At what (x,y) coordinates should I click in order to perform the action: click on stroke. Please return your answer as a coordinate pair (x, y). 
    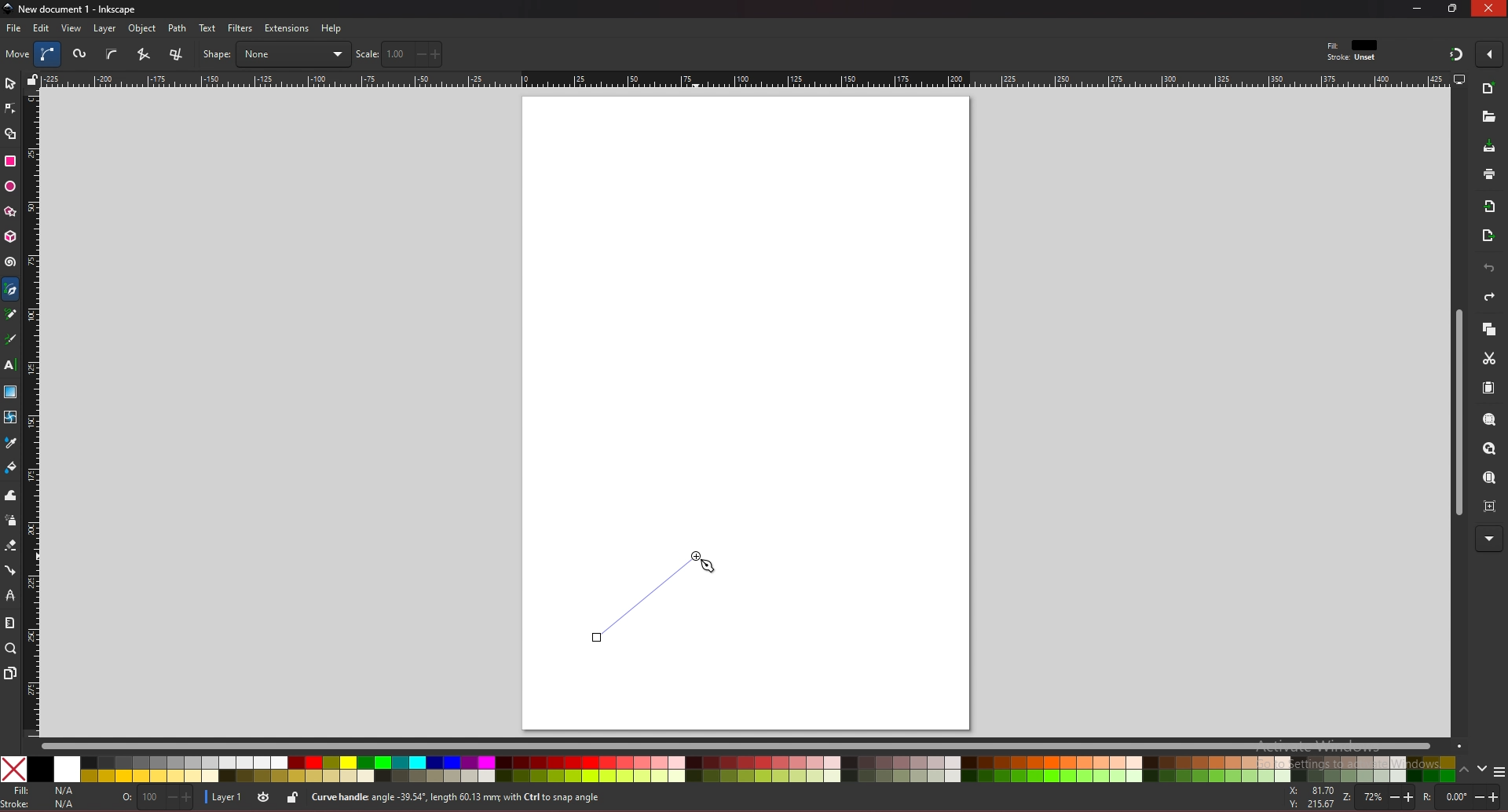
    Looking at the image, I should click on (42, 804).